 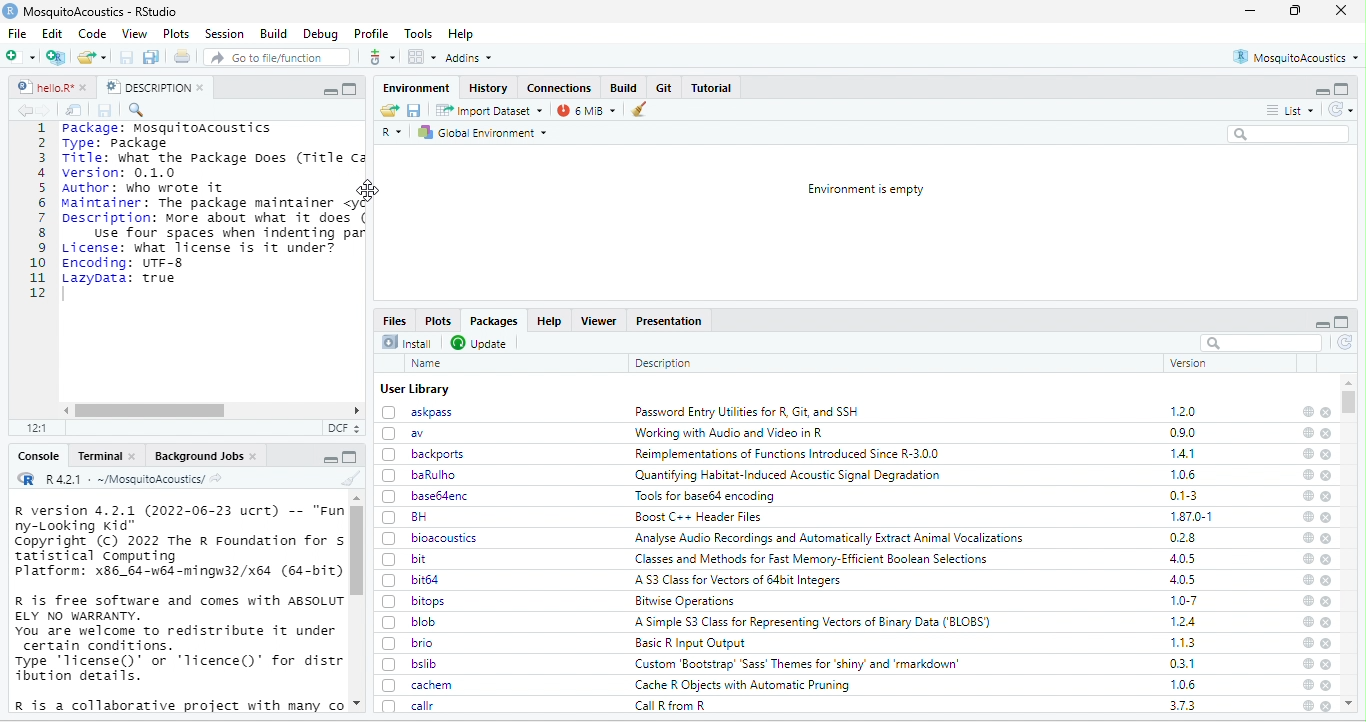 What do you see at coordinates (101, 12) in the screenshot?
I see `MosquitoAcoustics - RStudio` at bounding box center [101, 12].